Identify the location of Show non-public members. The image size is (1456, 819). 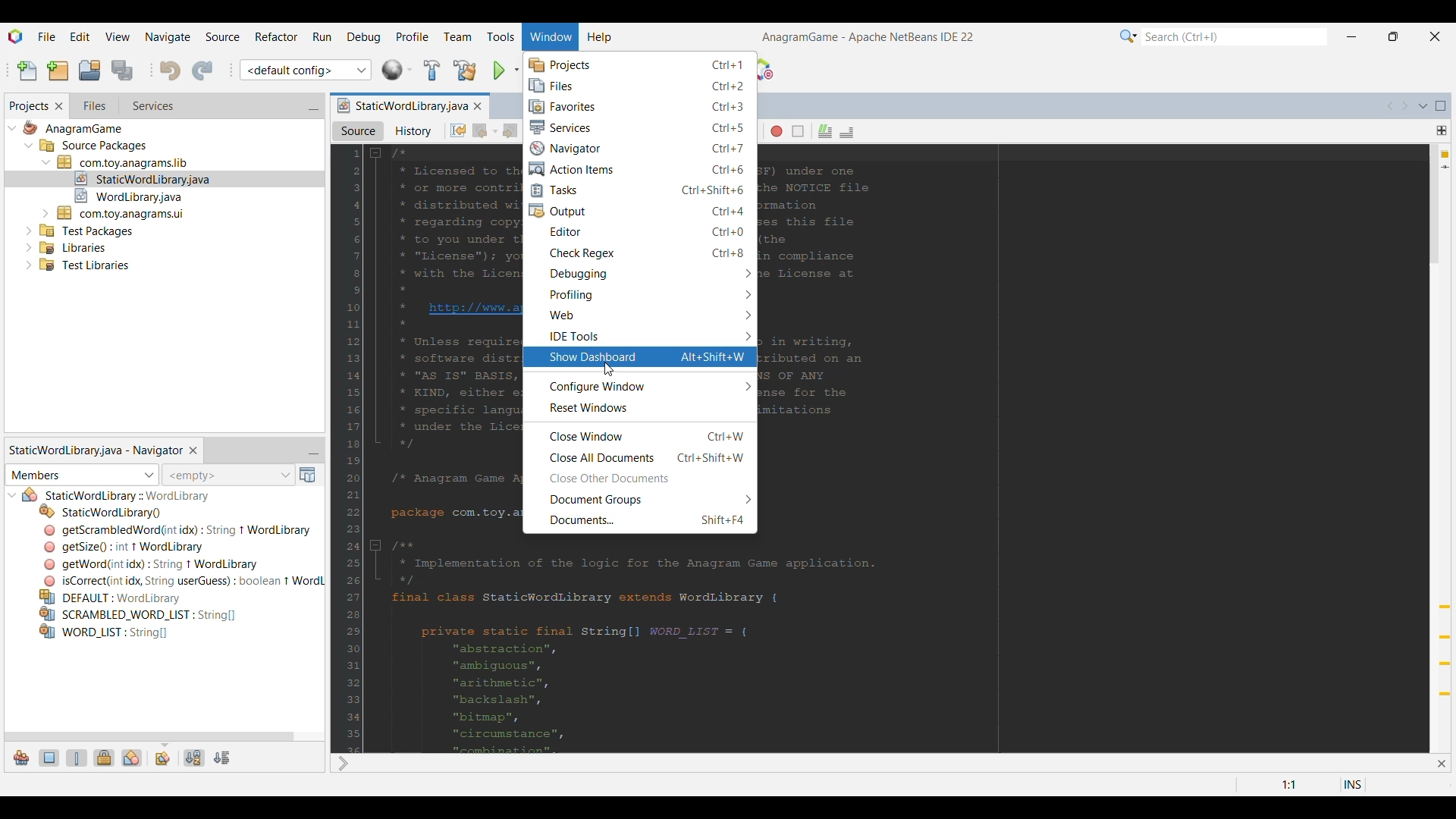
(104, 758).